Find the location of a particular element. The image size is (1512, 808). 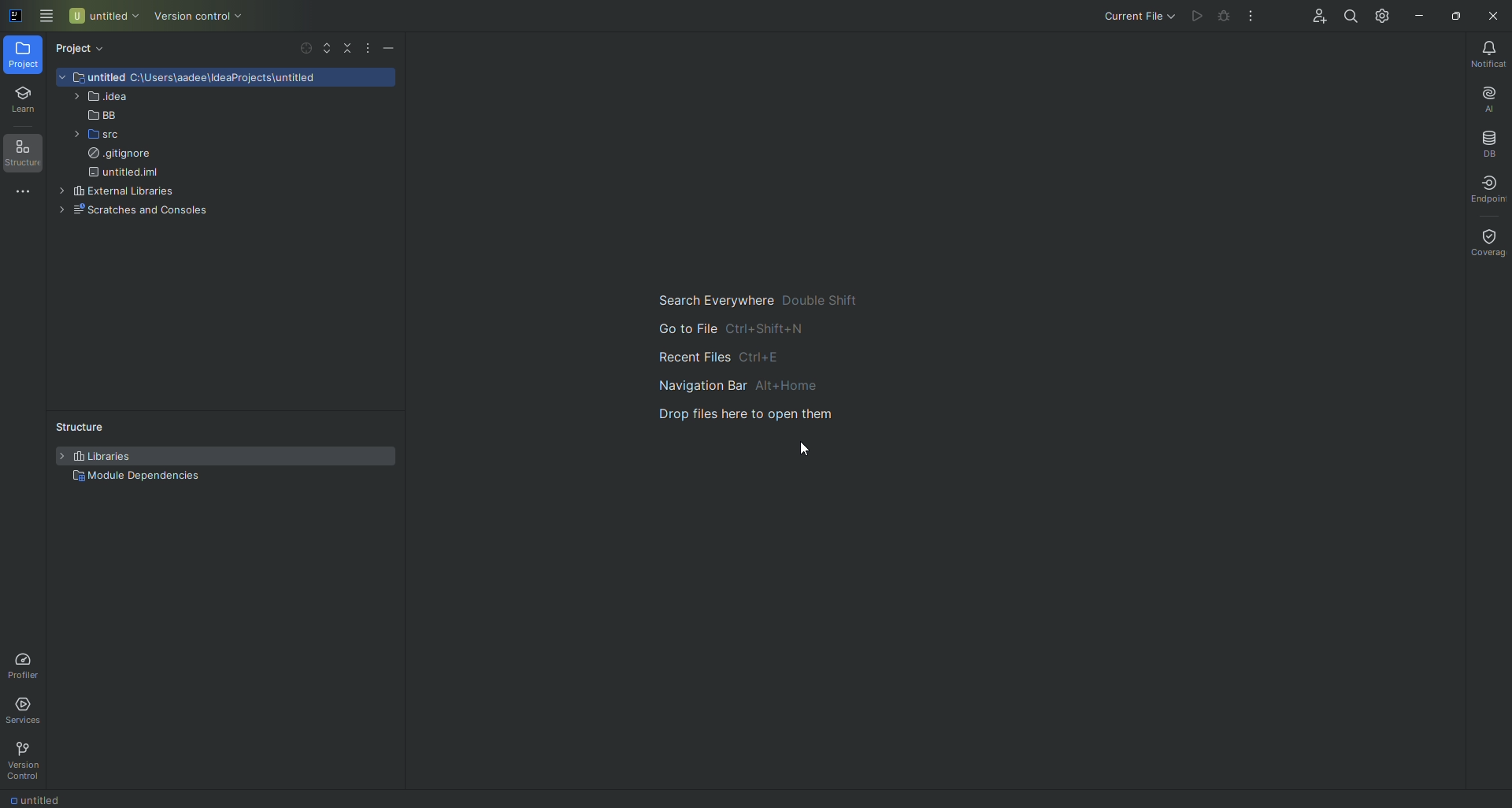

Learn is located at coordinates (23, 102).